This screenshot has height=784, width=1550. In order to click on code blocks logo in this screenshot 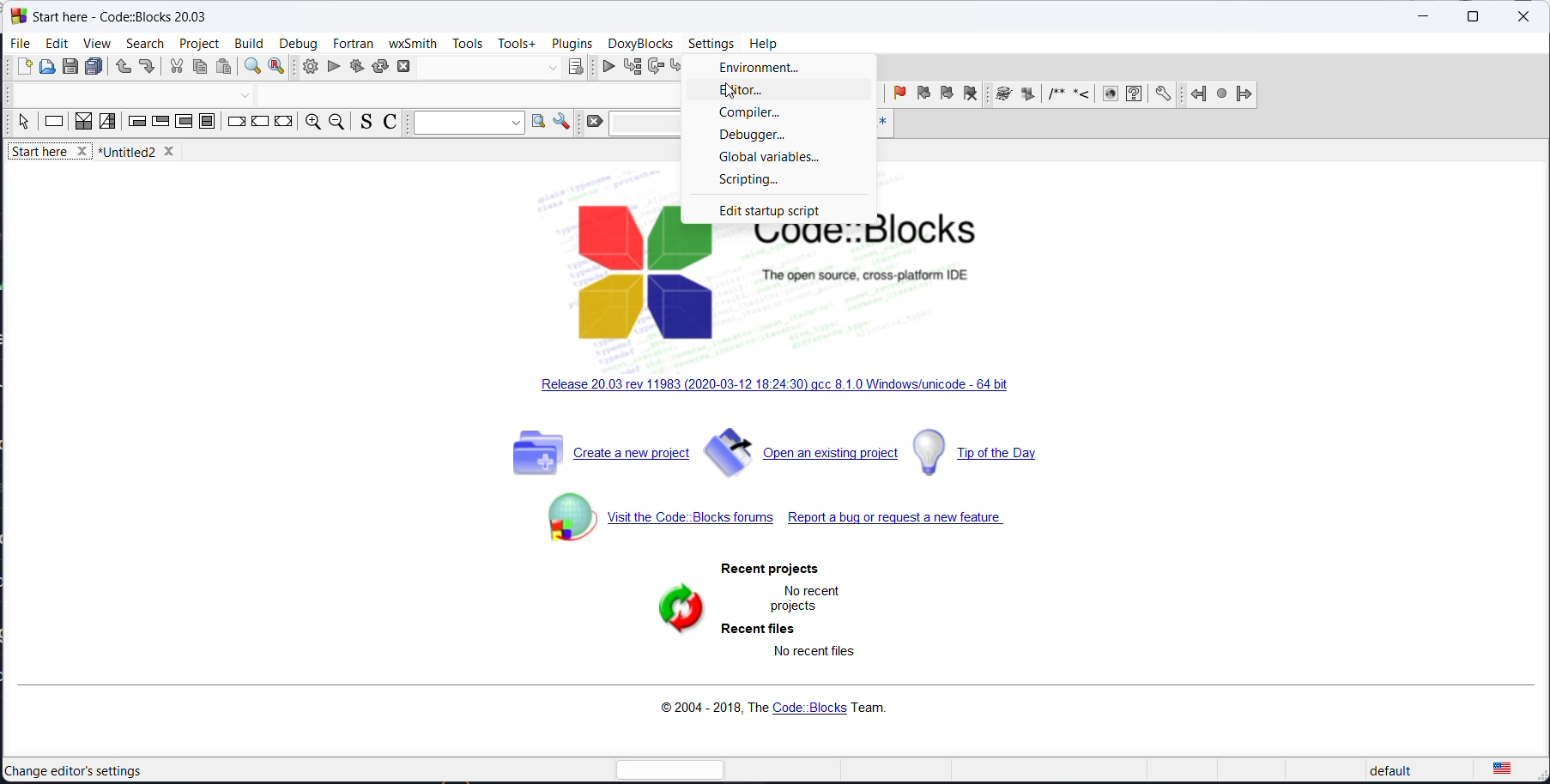, I will do `click(808, 282)`.